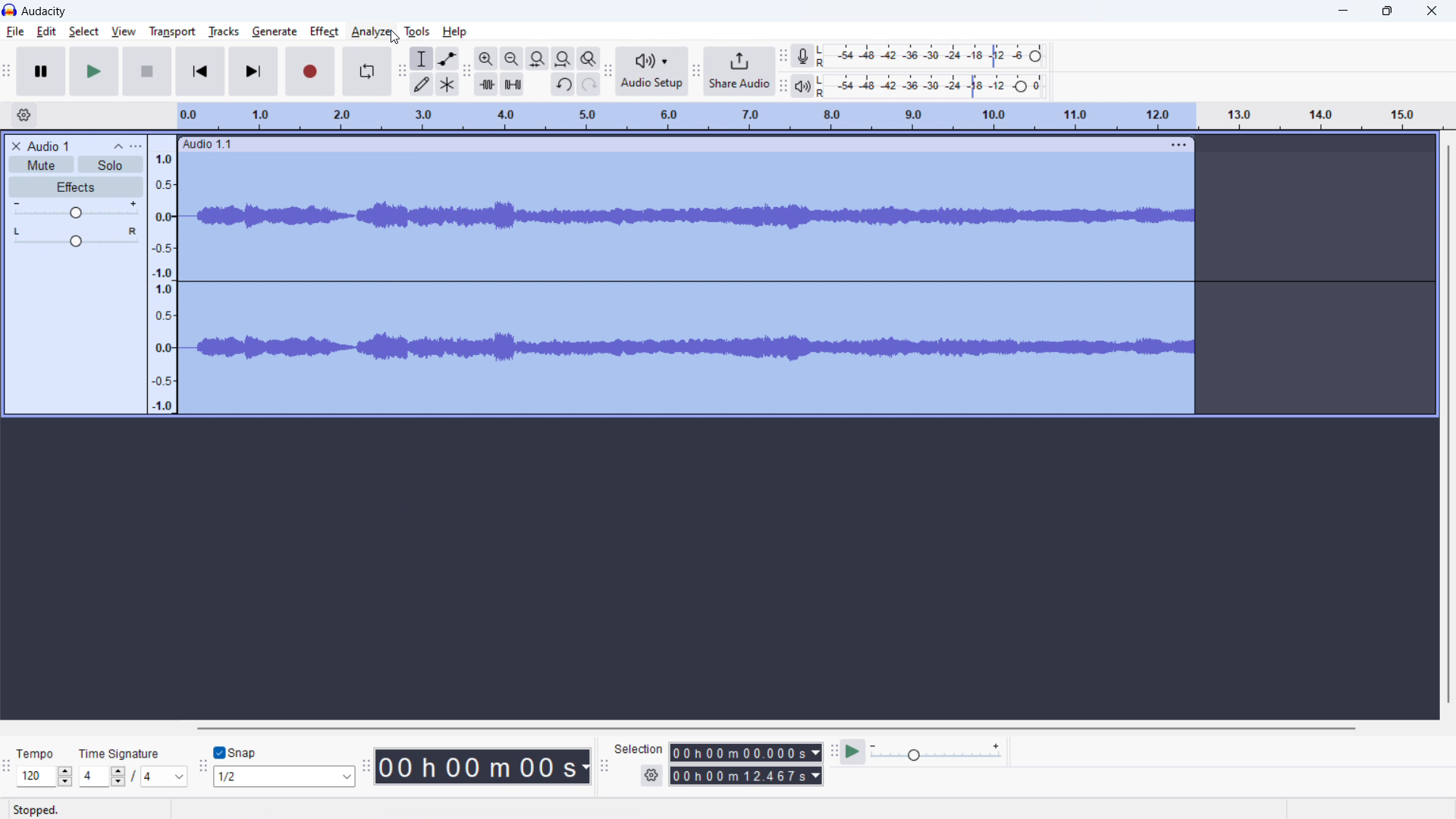 The height and width of the screenshot is (819, 1456). I want to click on delete recording, so click(17, 146).